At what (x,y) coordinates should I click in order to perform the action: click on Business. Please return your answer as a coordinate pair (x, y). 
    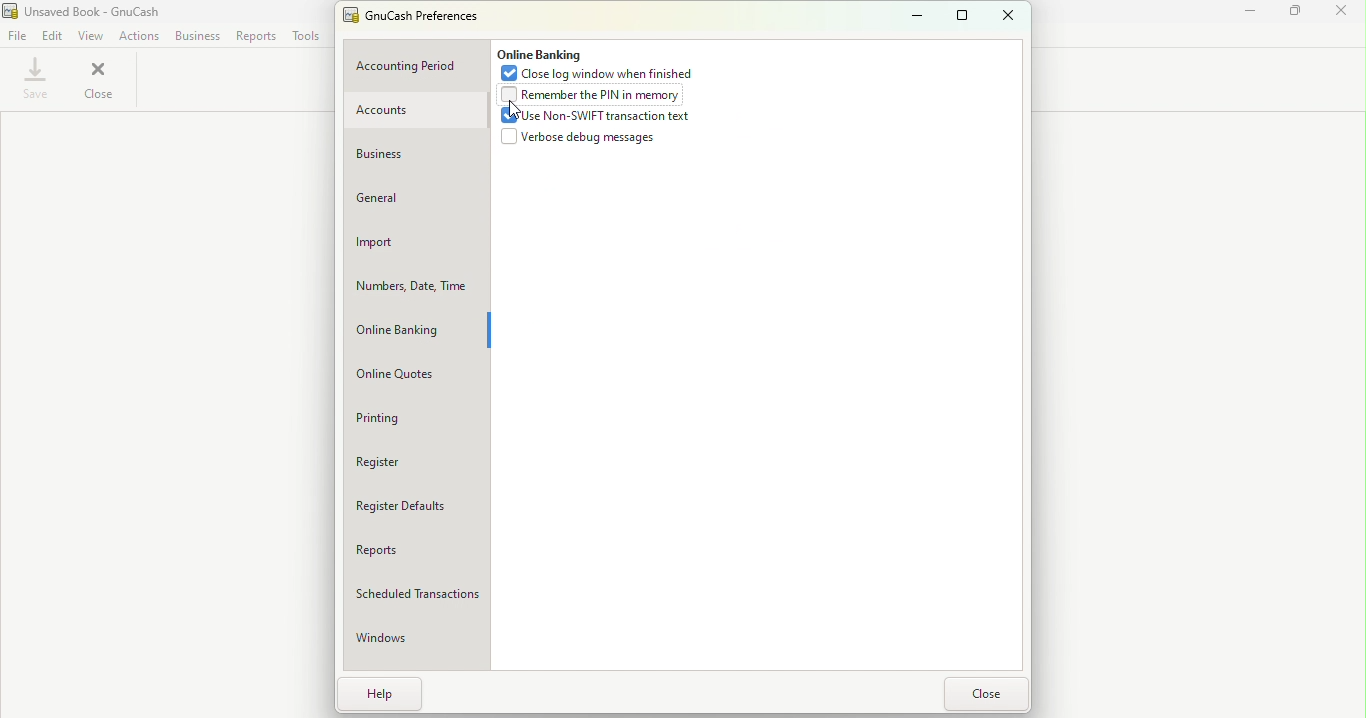
    Looking at the image, I should click on (402, 154).